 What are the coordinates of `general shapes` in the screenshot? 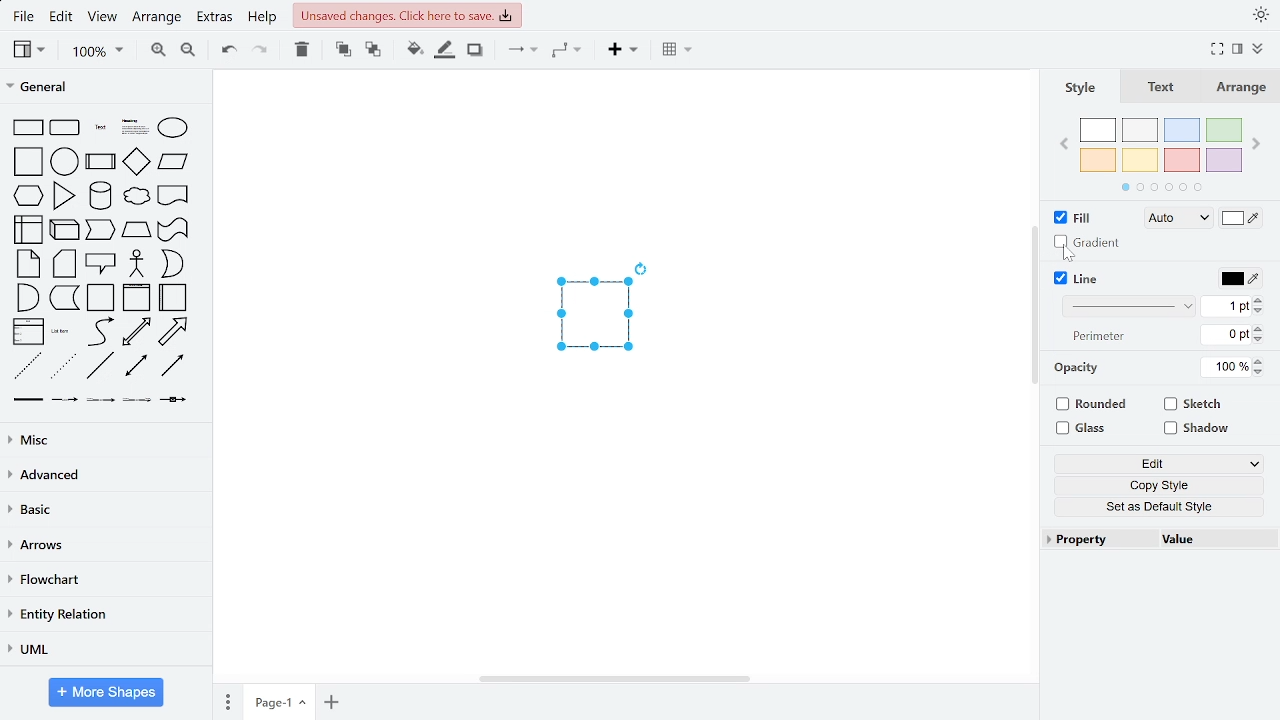 It's located at (172, 162).